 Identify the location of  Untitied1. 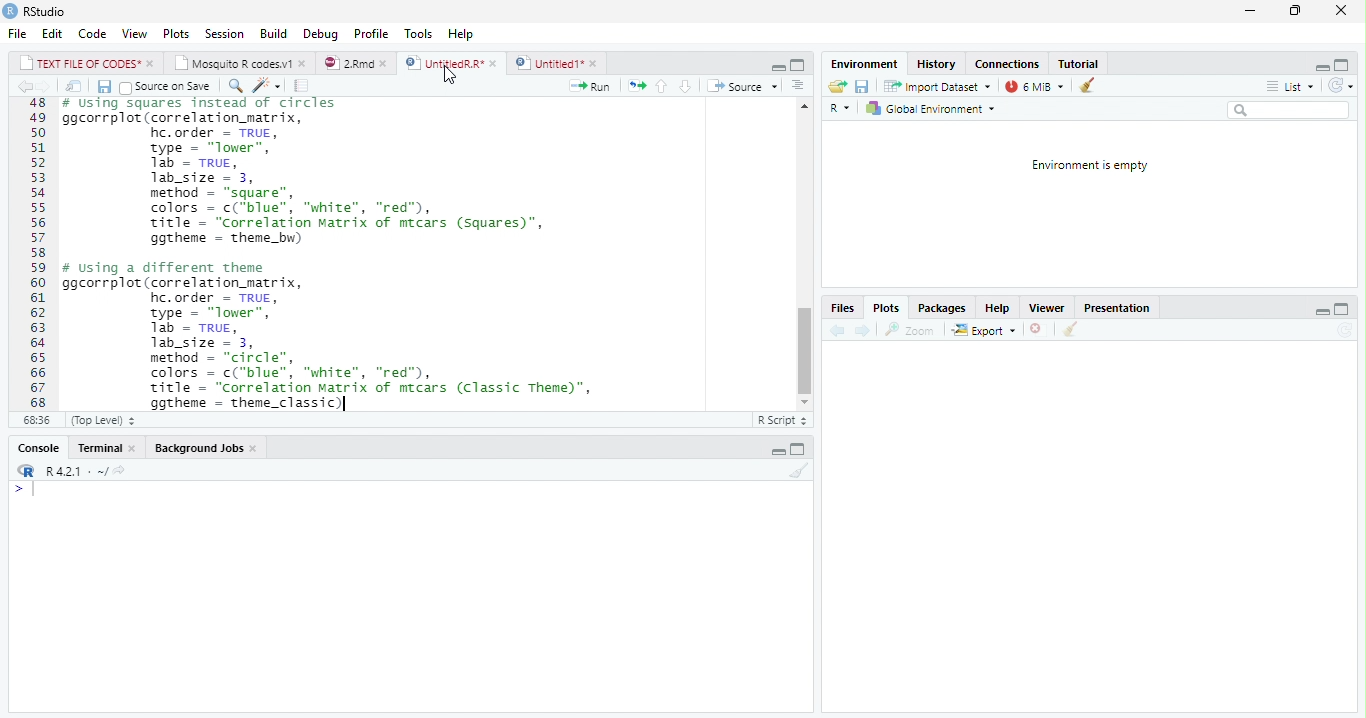
(557, 63).